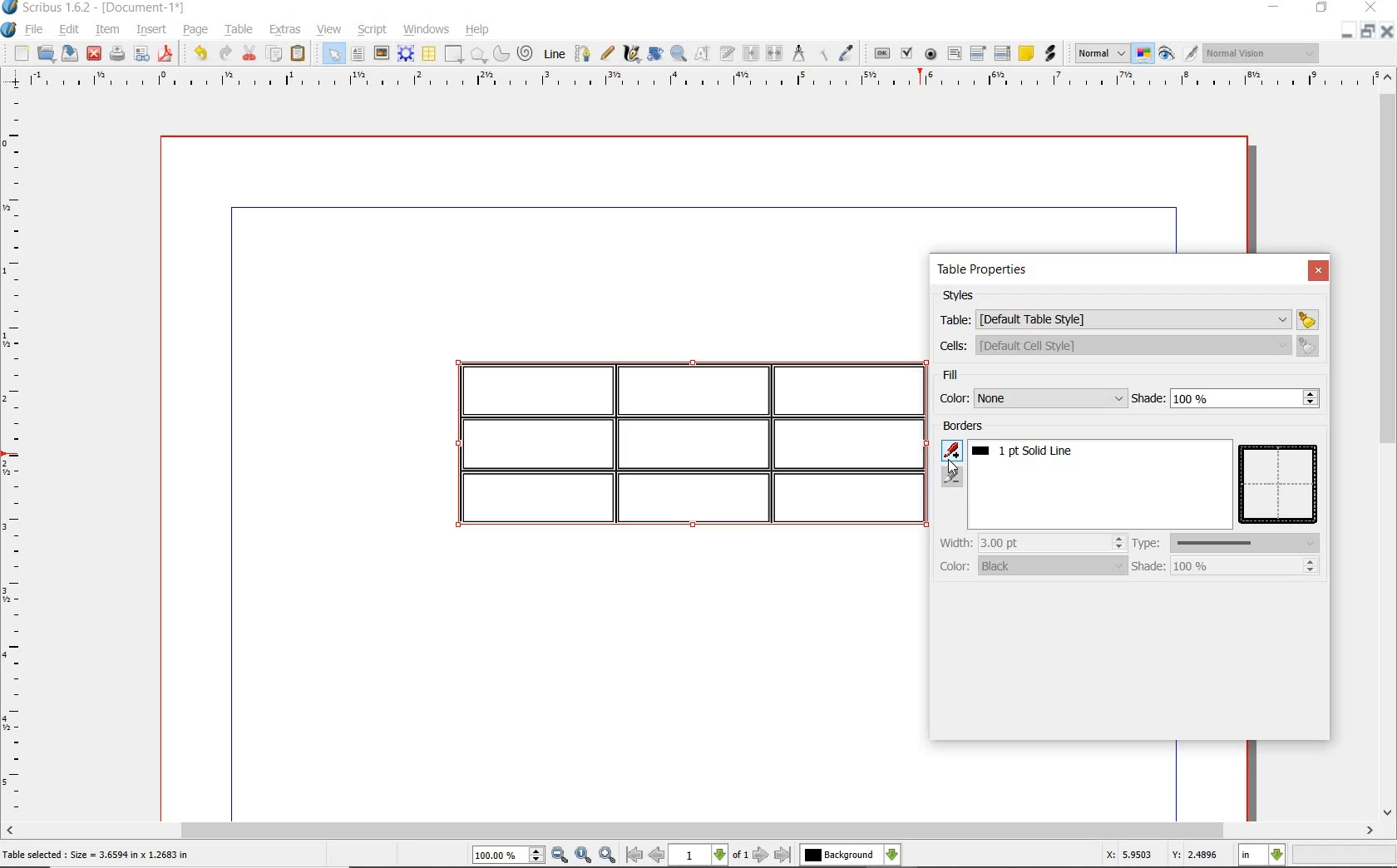 This screenshot has height=868, width=1397. Describe the element at coordinates (1160, 856) in the screenshot. I see `X: 5.9503 Y: 2.4896` at that location.